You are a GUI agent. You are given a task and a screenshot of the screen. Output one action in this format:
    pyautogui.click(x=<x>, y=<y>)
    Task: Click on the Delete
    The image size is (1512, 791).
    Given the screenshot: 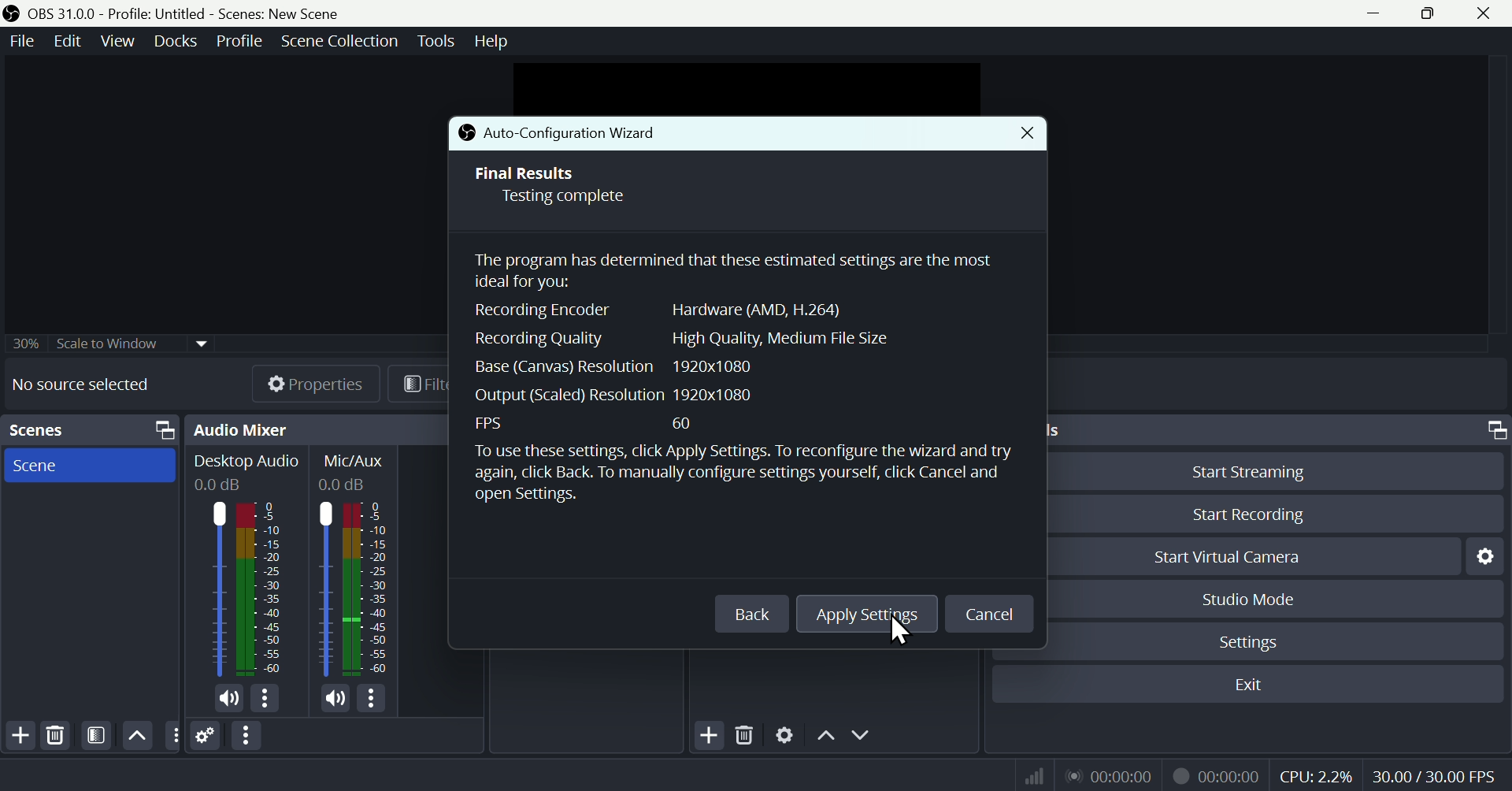 What is the action you would take?
    pyautogui.click(x=57, y=735)
    